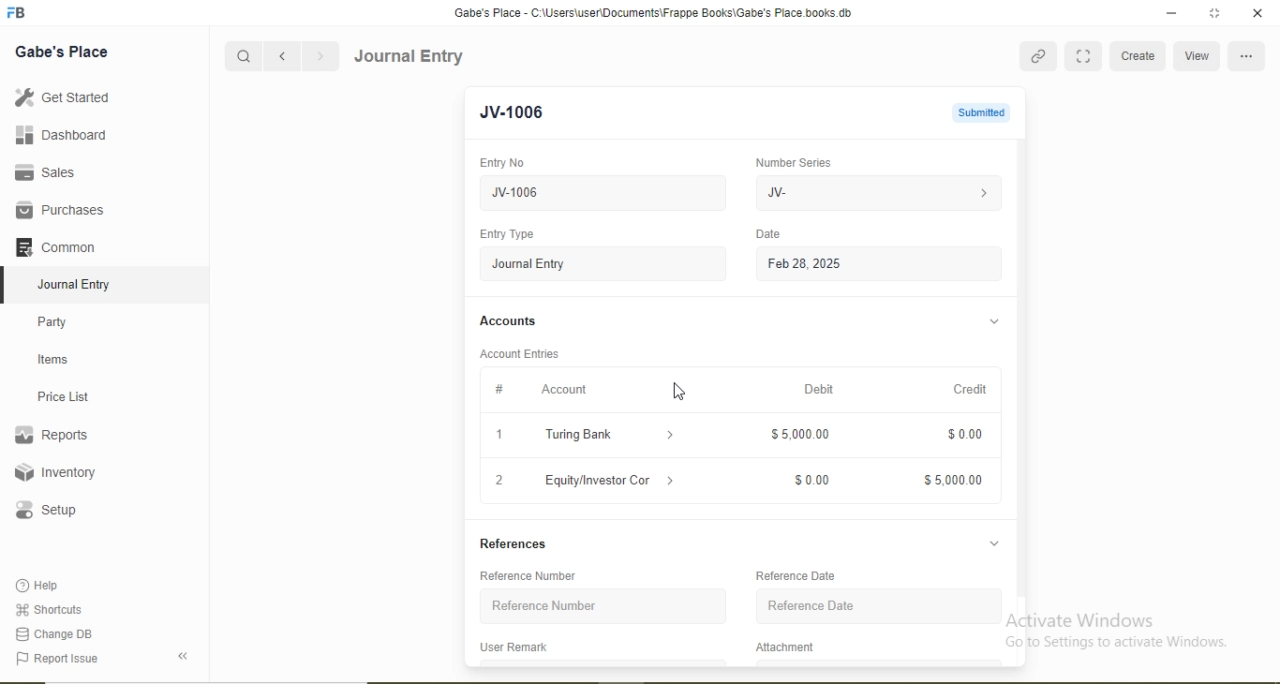 The image size is (1280, 684). I want to click on User Remark, so click(512, 647).